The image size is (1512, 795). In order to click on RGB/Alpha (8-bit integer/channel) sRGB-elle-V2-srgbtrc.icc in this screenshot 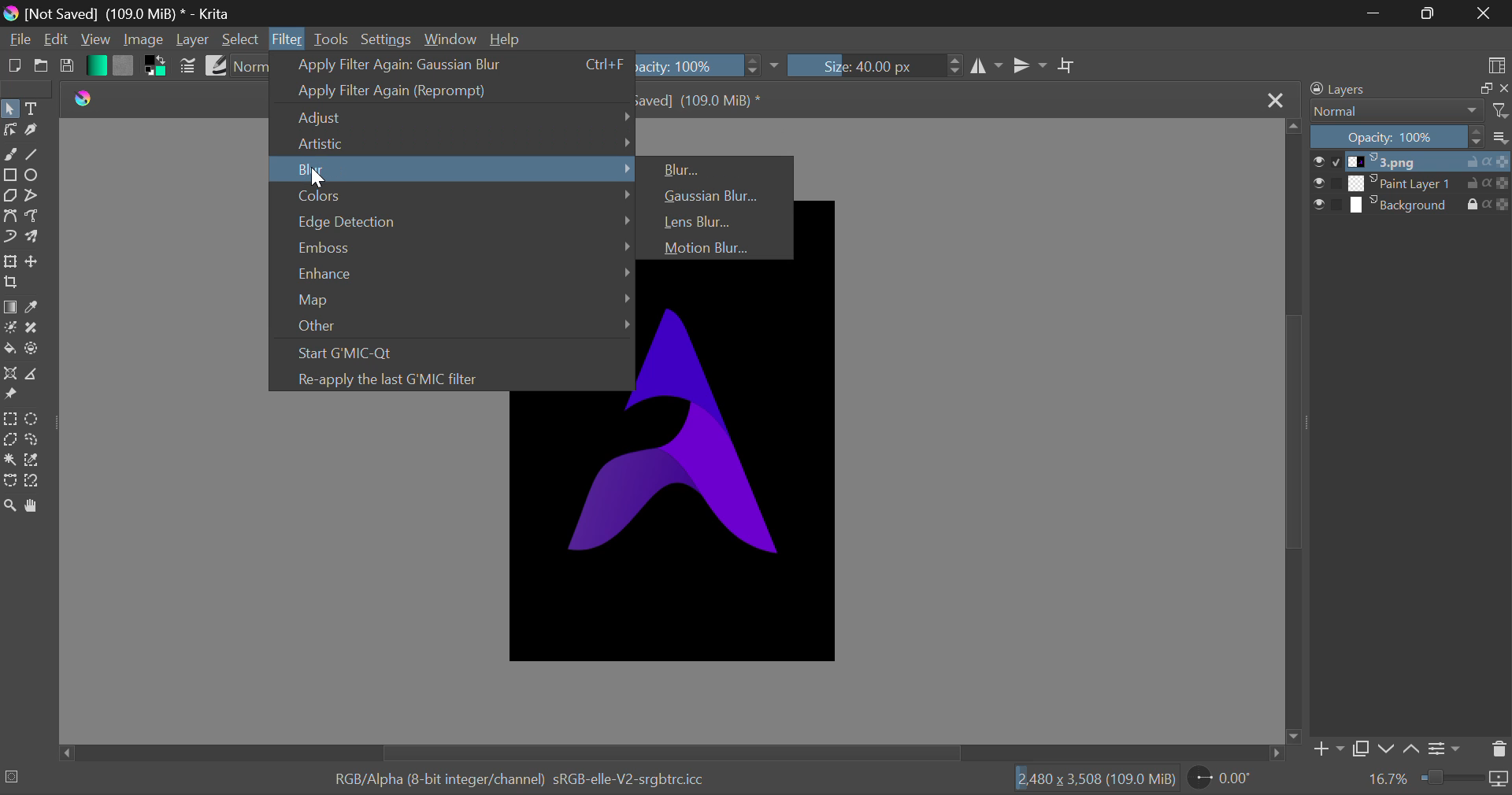, I will do `click(520, 777)`.